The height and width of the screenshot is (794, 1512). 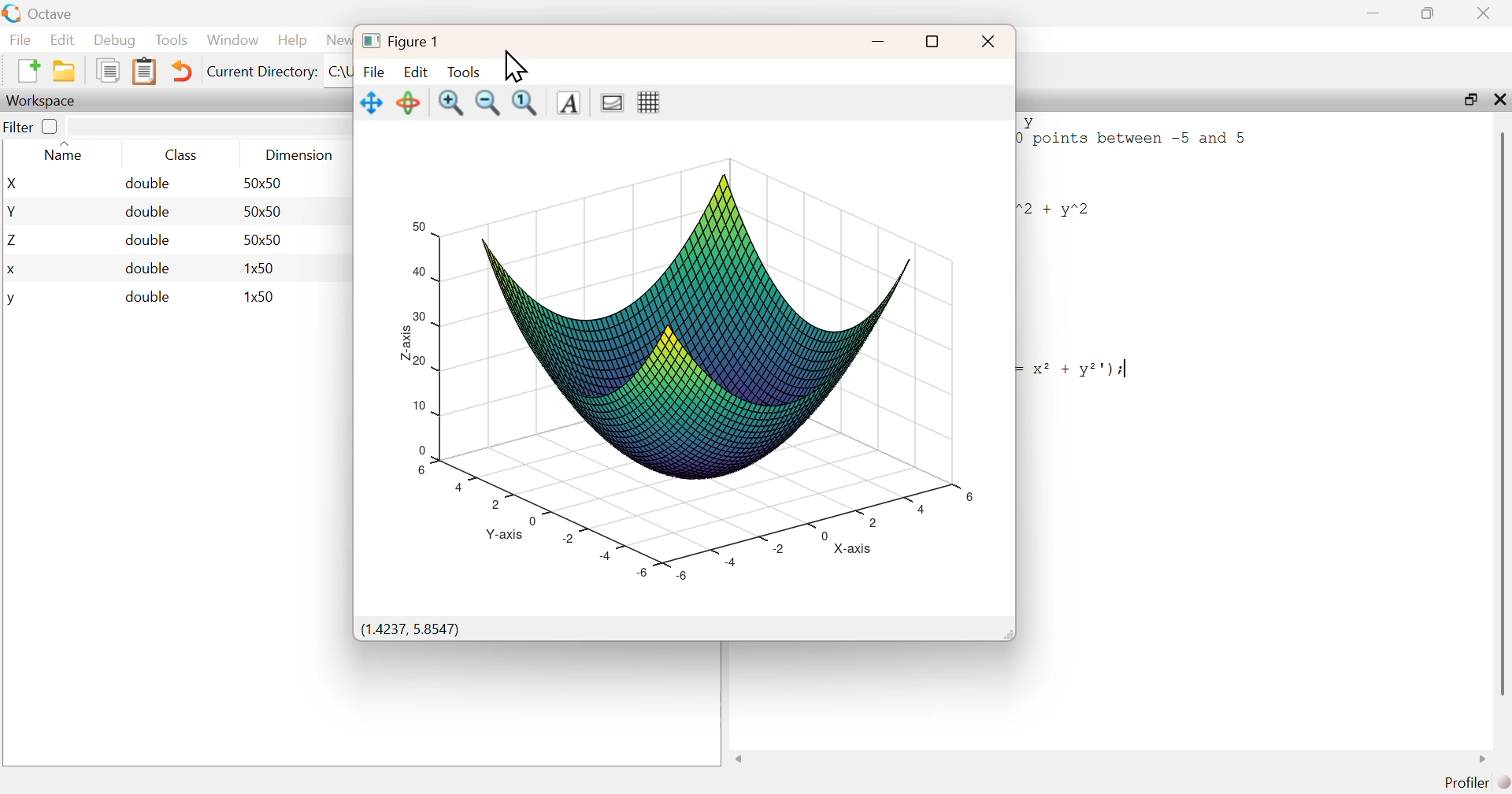 What do you see at coordinates (143, 72) in the screenshot?
I see `Clipboard` at bounding box center [143, 72].